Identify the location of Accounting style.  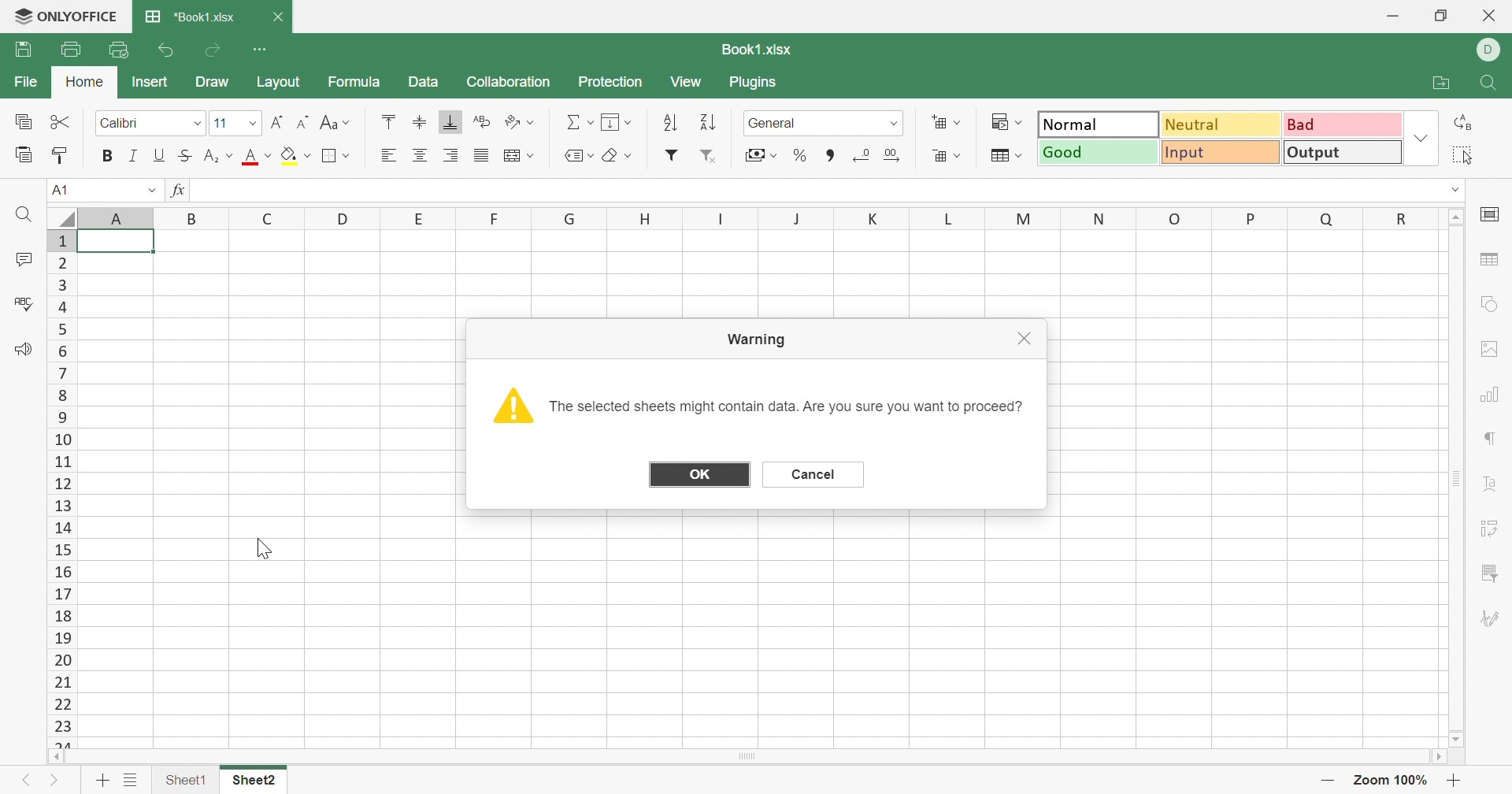
(751, 155).